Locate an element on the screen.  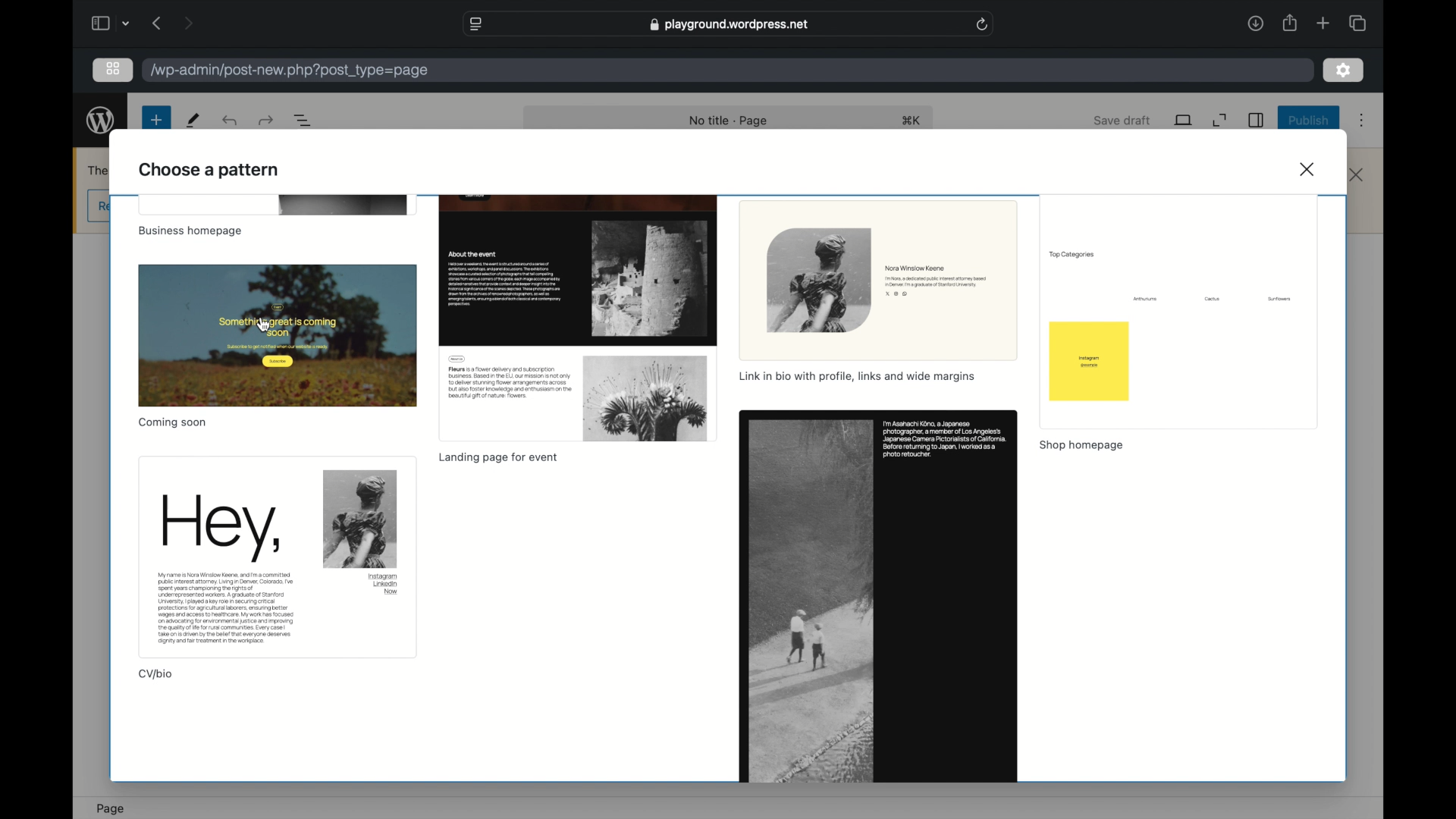
landing page for event is located at coordinates (499, 458).